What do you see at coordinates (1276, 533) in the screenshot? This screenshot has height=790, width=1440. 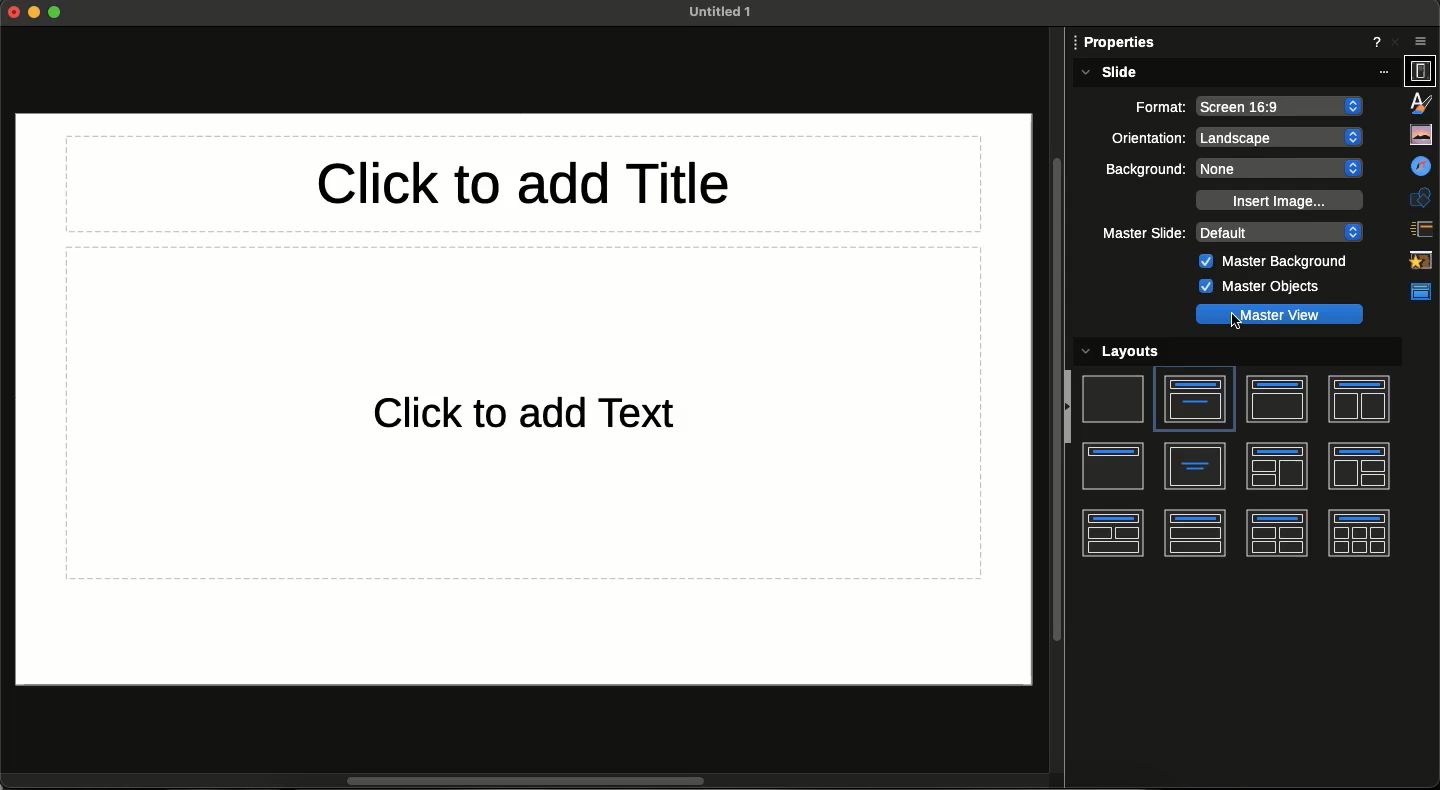 I see `Title and four boxes` at bounding box center [1276, 533].